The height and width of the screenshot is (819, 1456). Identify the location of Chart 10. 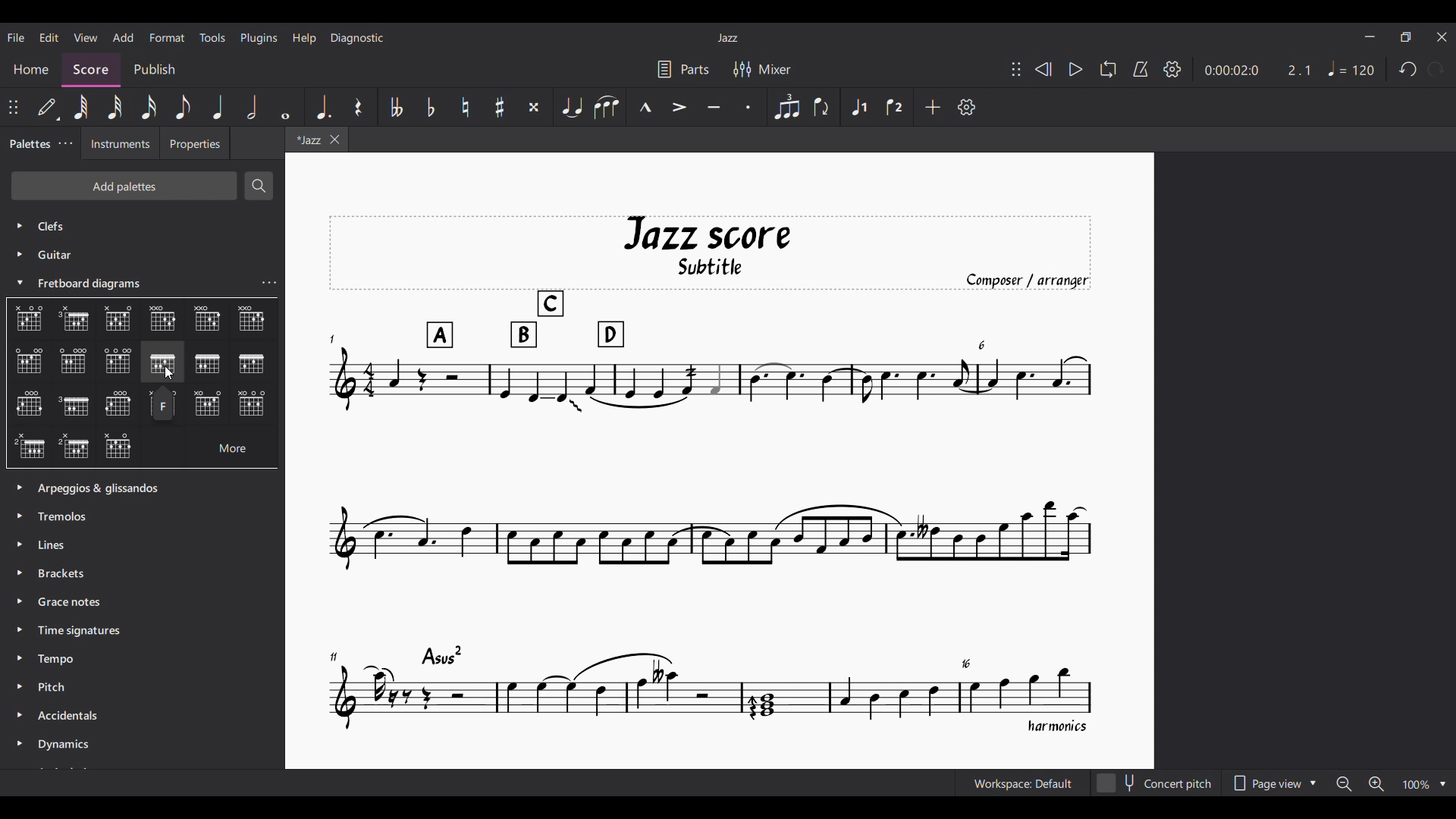
(209, 363).